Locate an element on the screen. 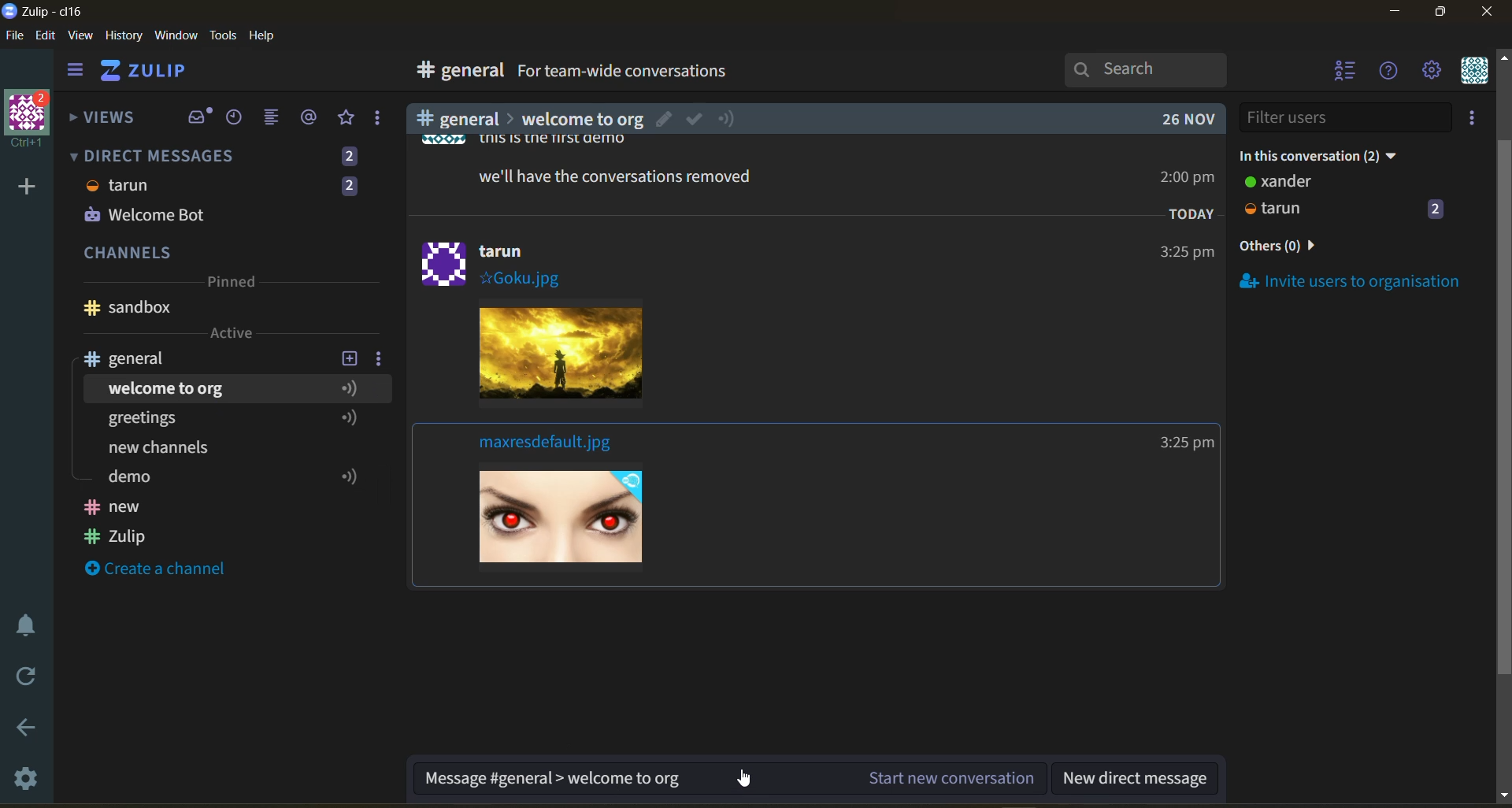 The image size is (1512, 808).  is located at coordinates (1174, 120).